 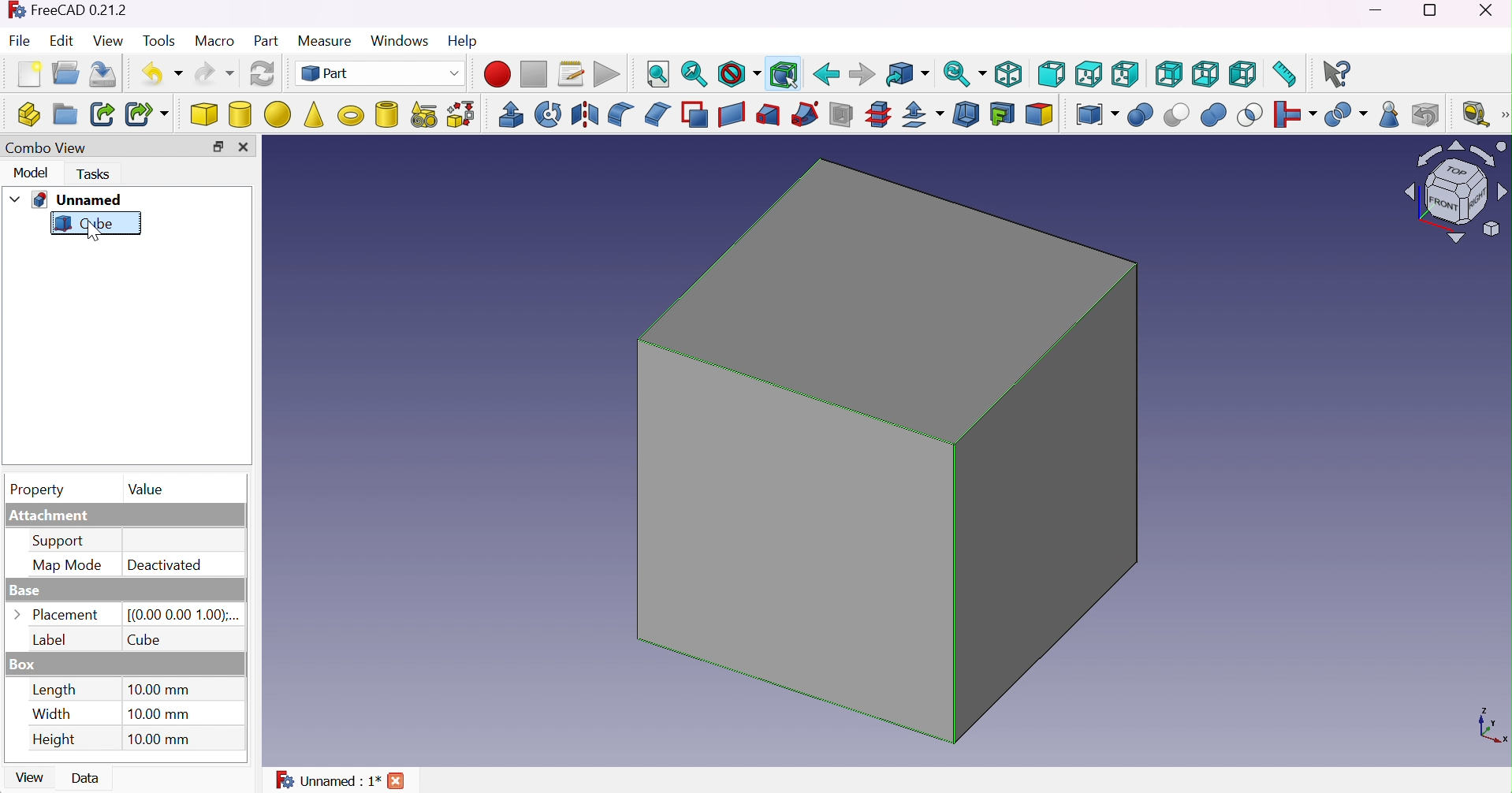 What do you see at coordinates (30, 77) in the screenshot?
I see `New` at bounding box center [30, 77].